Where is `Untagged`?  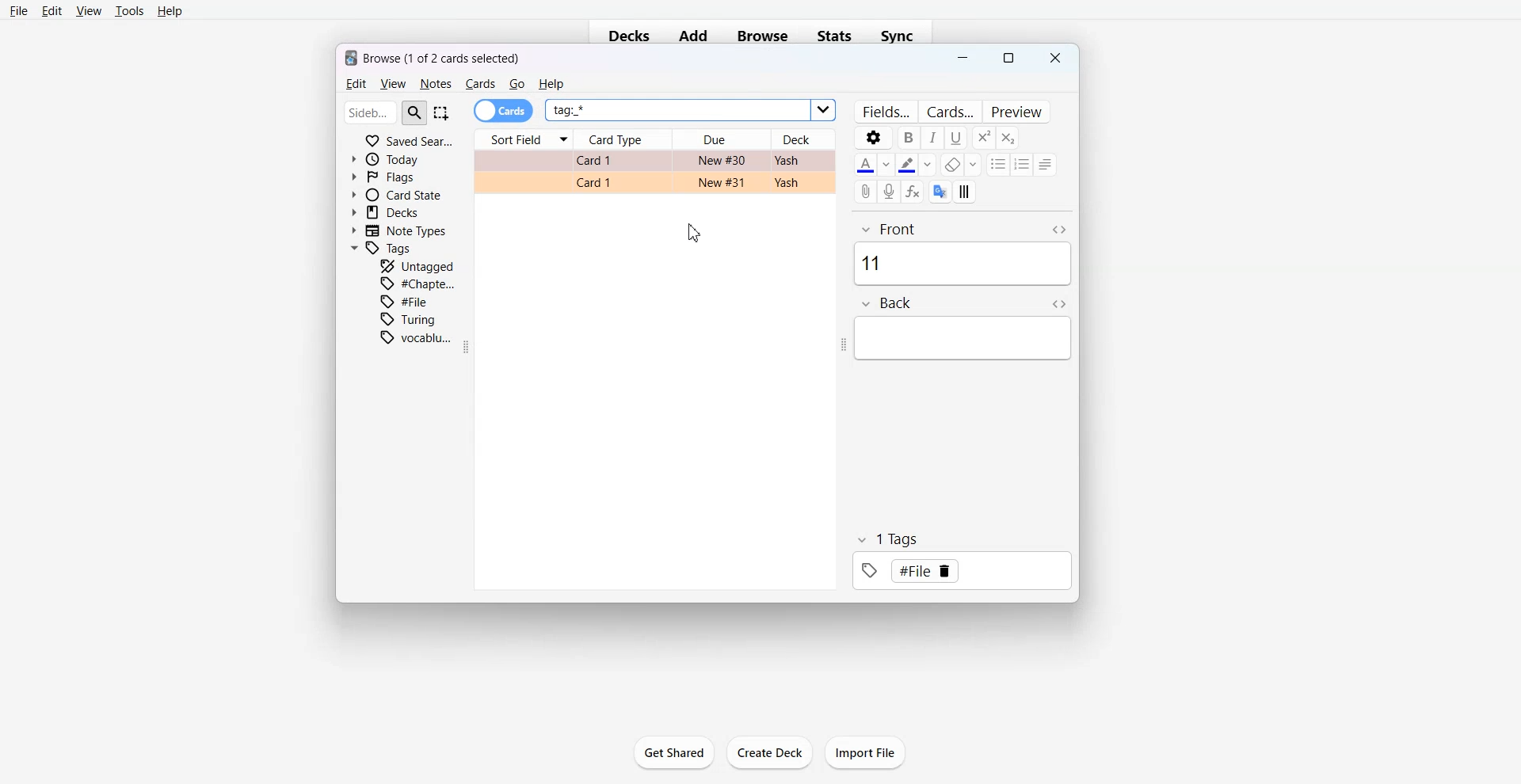 Untagged is located at coordinates (417, 265).